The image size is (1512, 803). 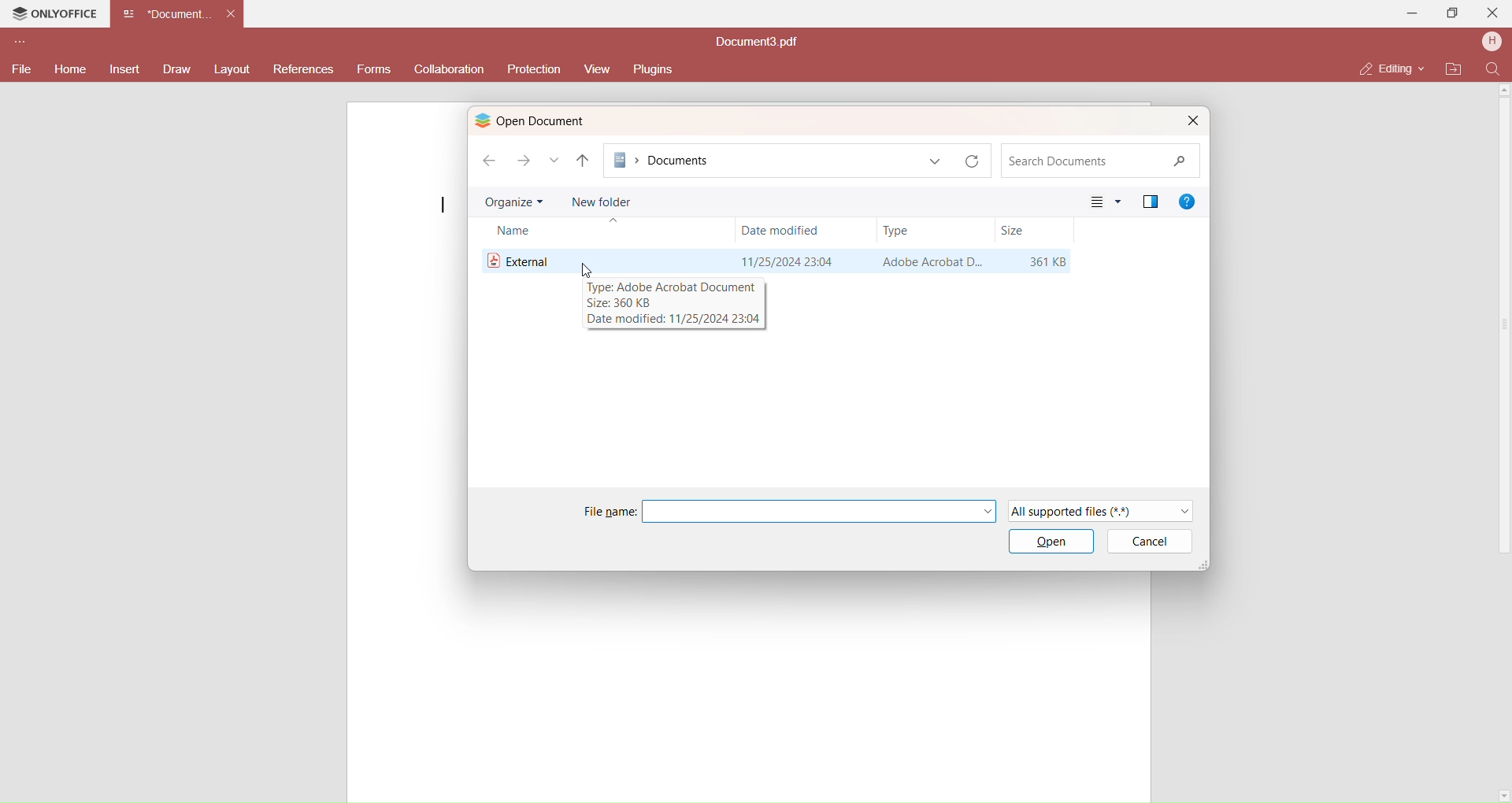 I want to click on Search Document, so click(x=1097, y=161).